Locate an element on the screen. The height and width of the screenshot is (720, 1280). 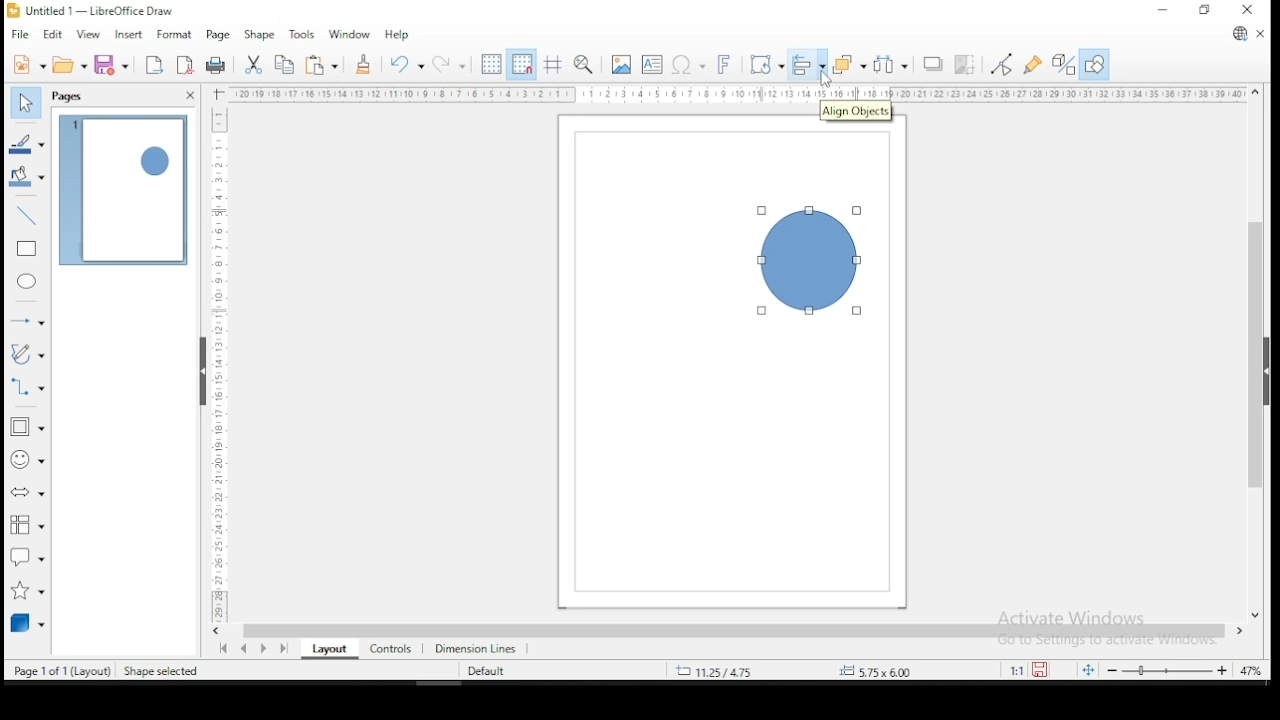
flowchart is located at coordinates (24, 525).